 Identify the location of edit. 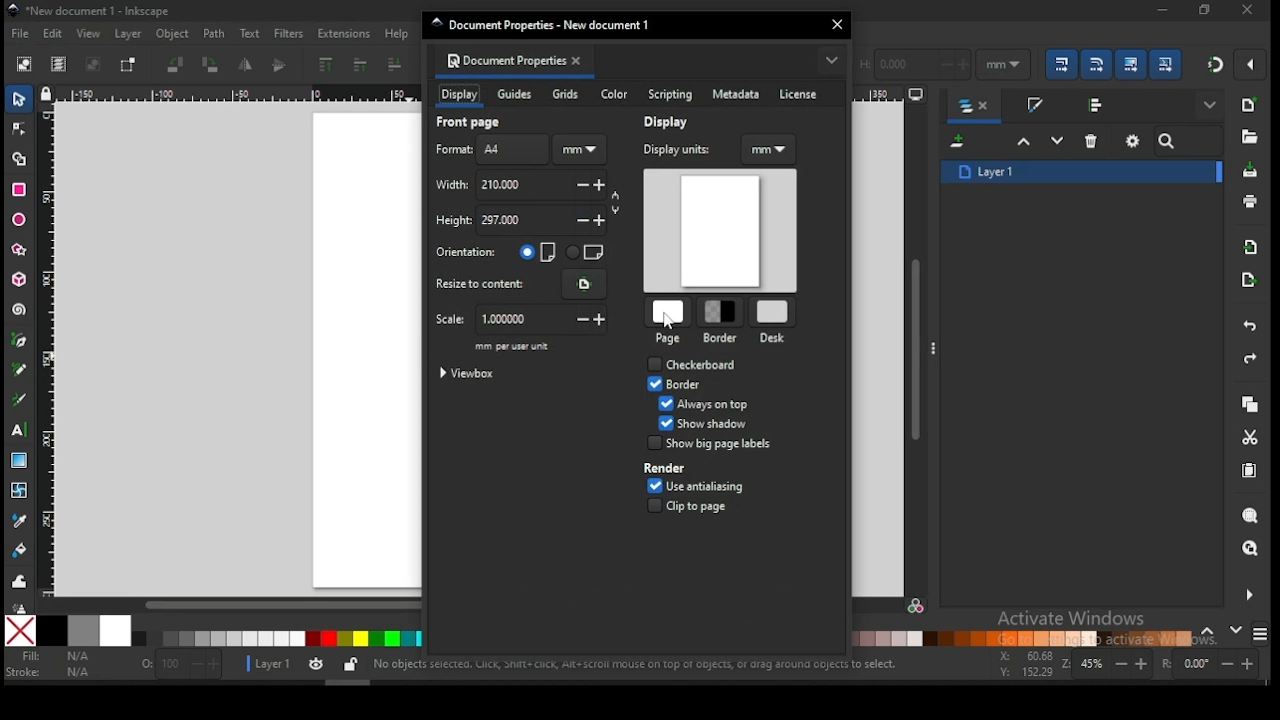
(56, 34).